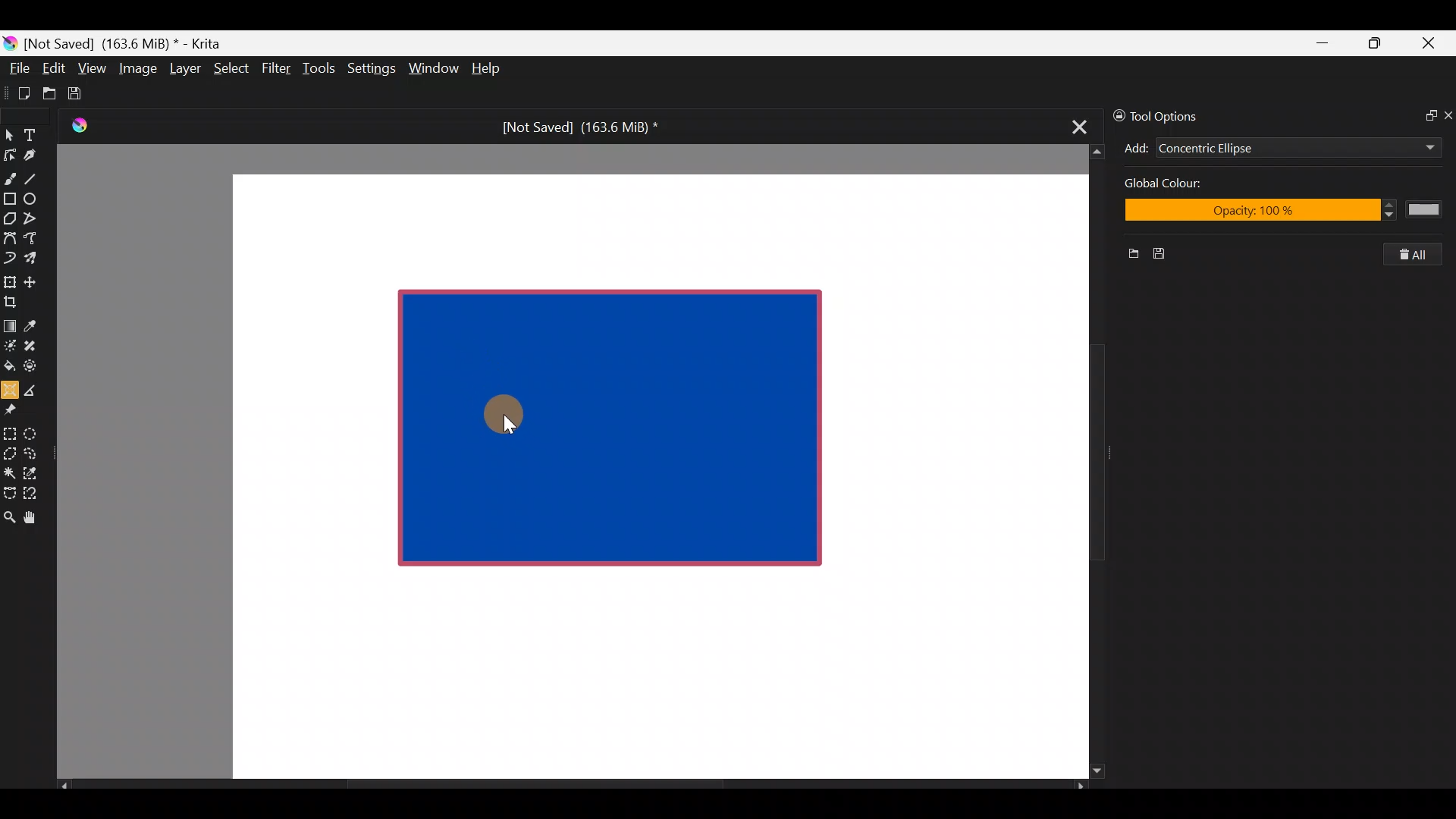  What do you see at coordinates (574, 127) in the screenshot?
I see `[Not Saved] (163.6 MiB) *` at bounding box center [574, 127].